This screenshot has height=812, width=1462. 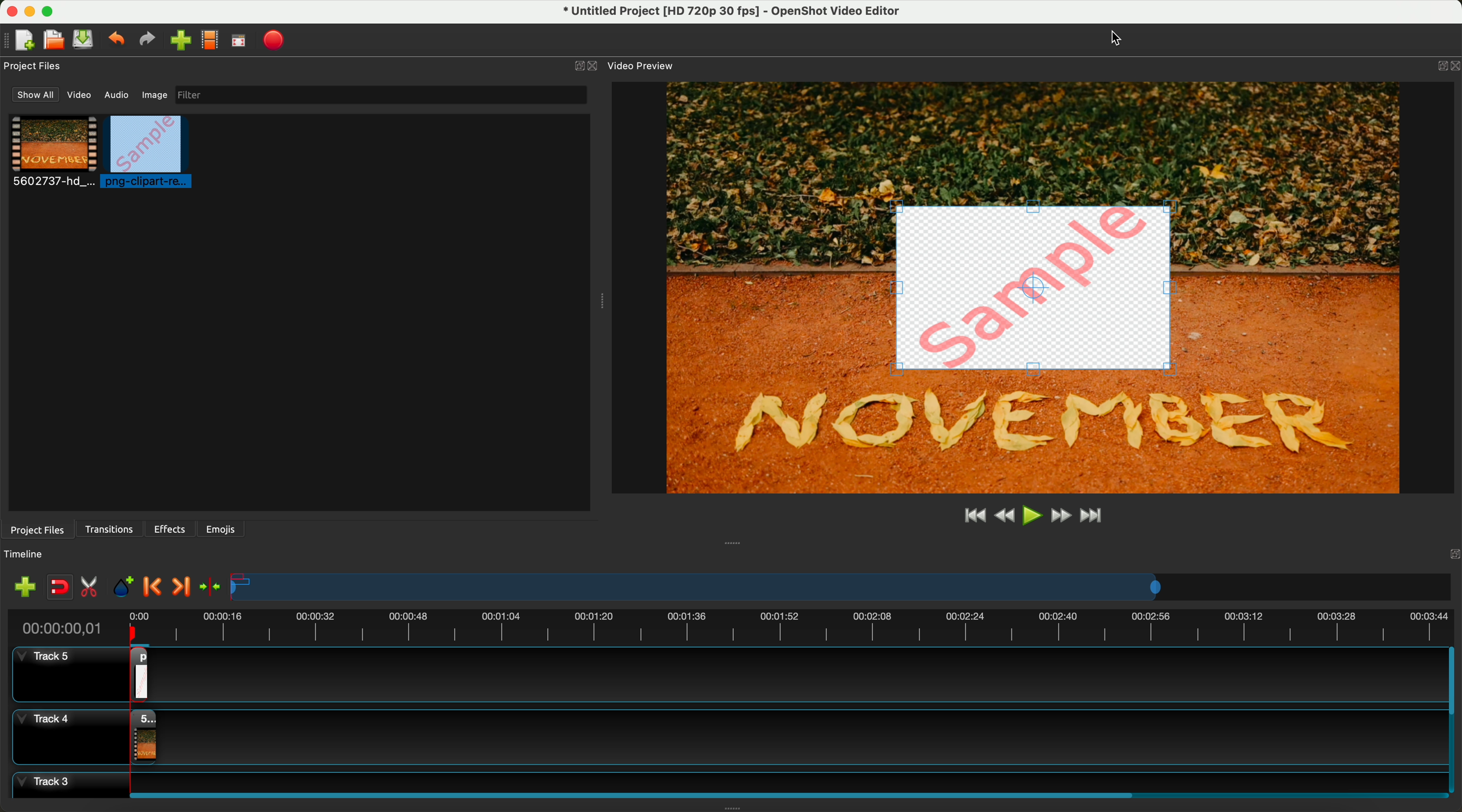 I want to click on fast foward, so click(x=1060, y=517).